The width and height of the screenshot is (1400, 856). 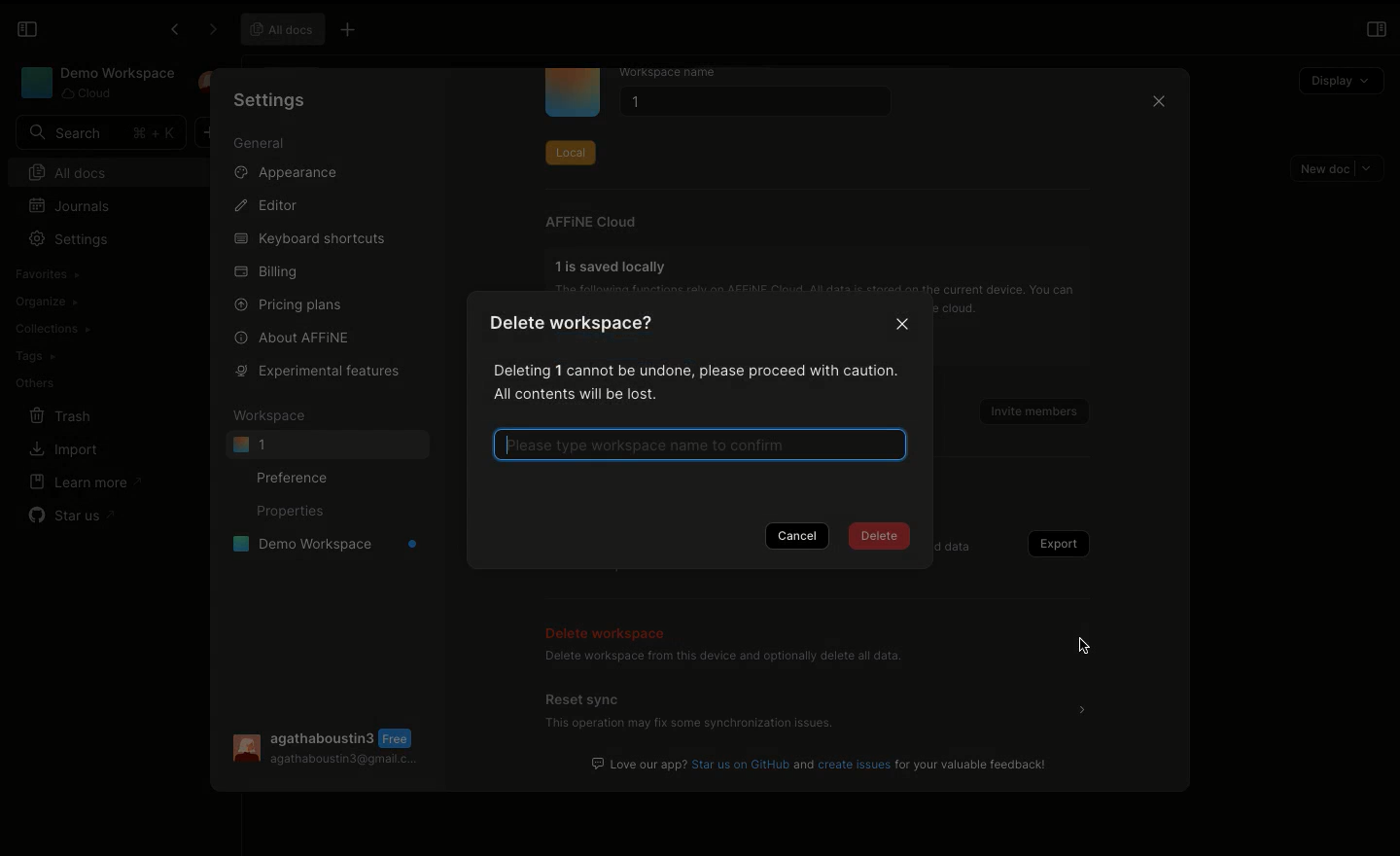 What do you see at coordinates (345, 763) in the screenshot?
I see `agathaboustin3@gmail.c...` at bounding box center [345, 763].